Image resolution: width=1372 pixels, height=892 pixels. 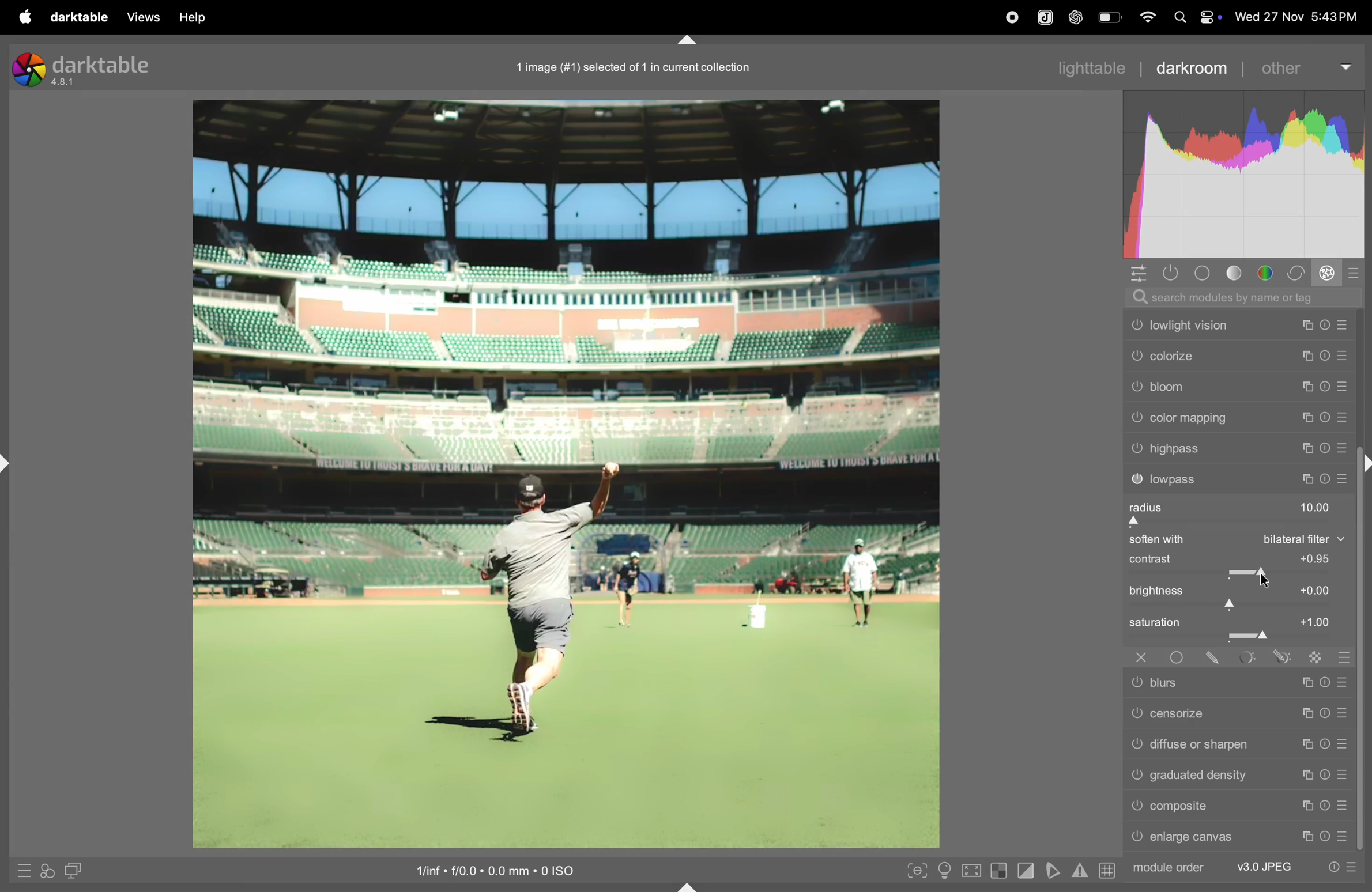 I want to click on low light vision, so click(x=1238, y=325).